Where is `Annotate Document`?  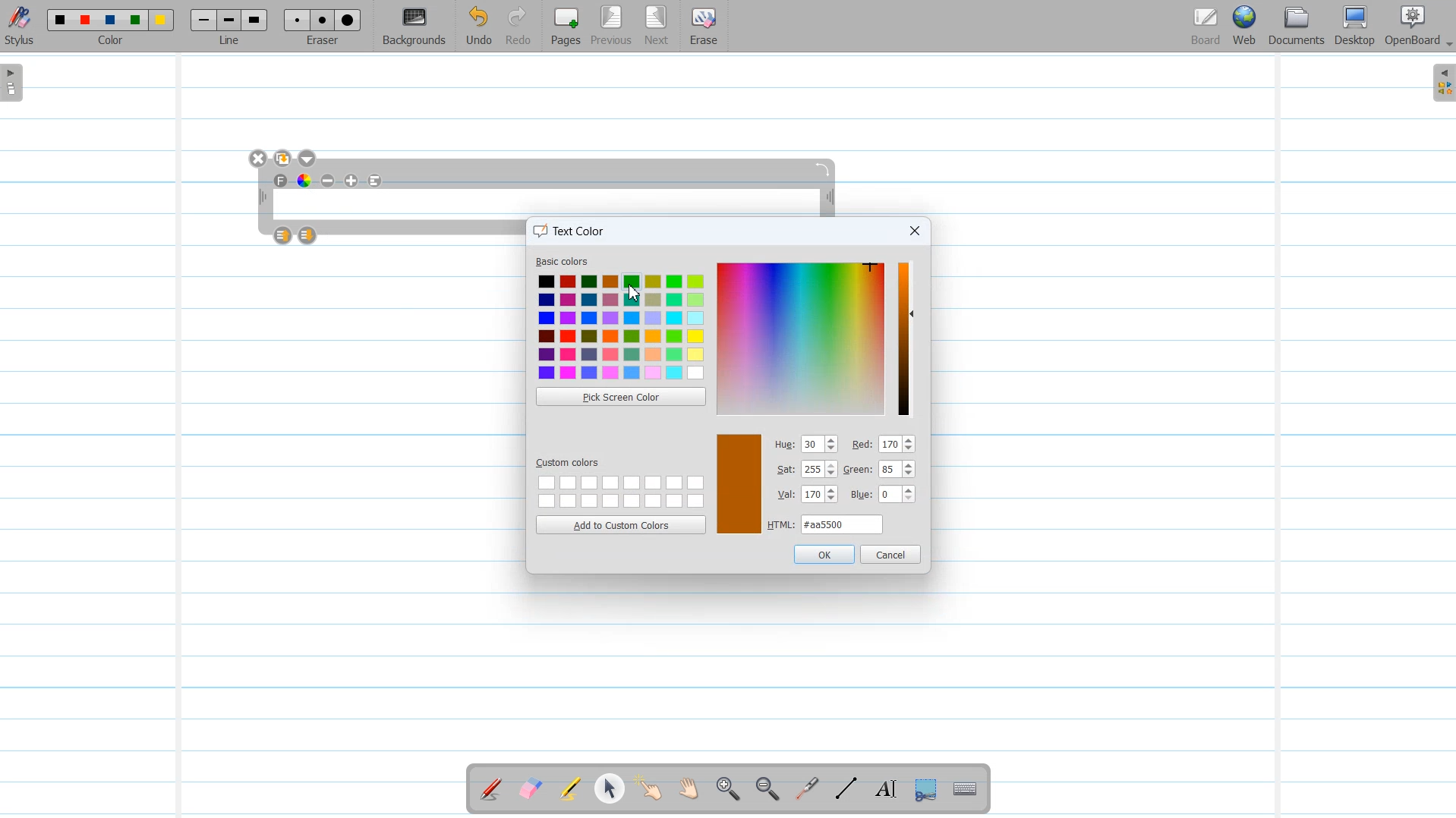
Annotate Document is located at coordinates (491, 789).